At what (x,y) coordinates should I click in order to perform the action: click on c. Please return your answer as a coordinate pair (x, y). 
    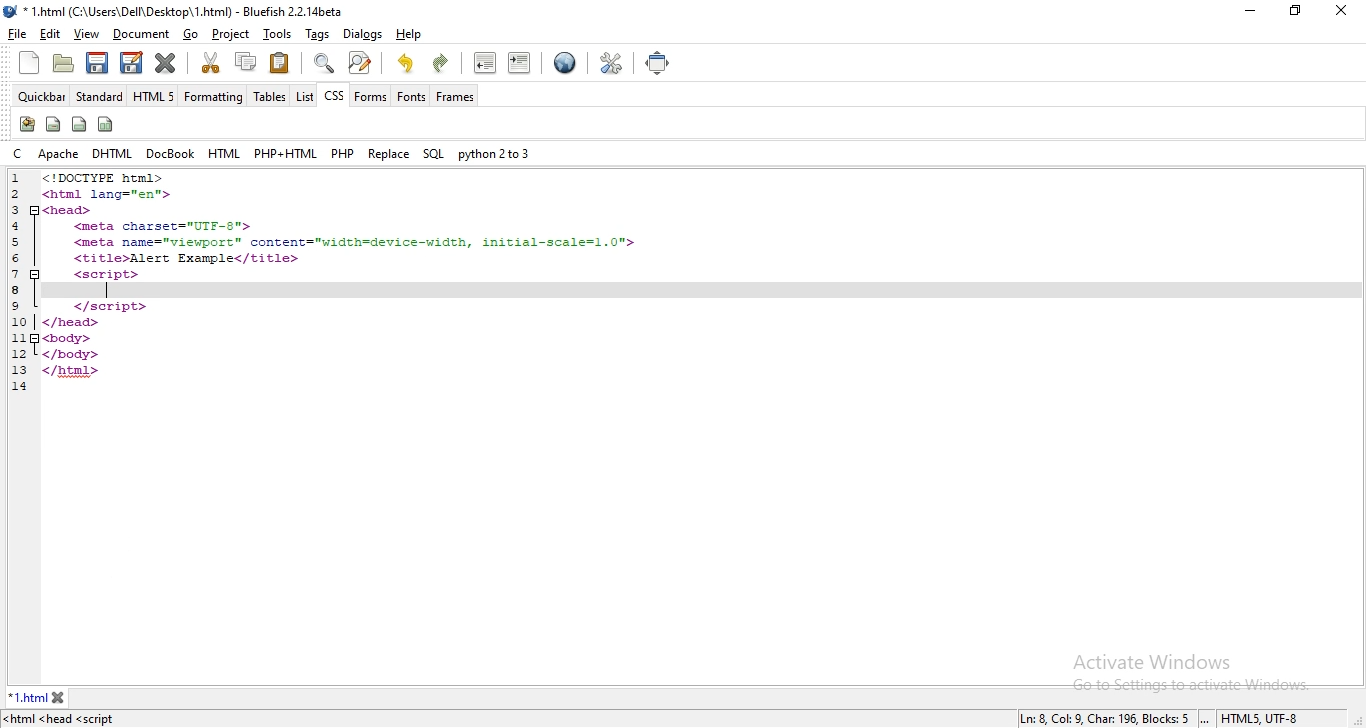
    Looking at the image, I should click on (16, 153).